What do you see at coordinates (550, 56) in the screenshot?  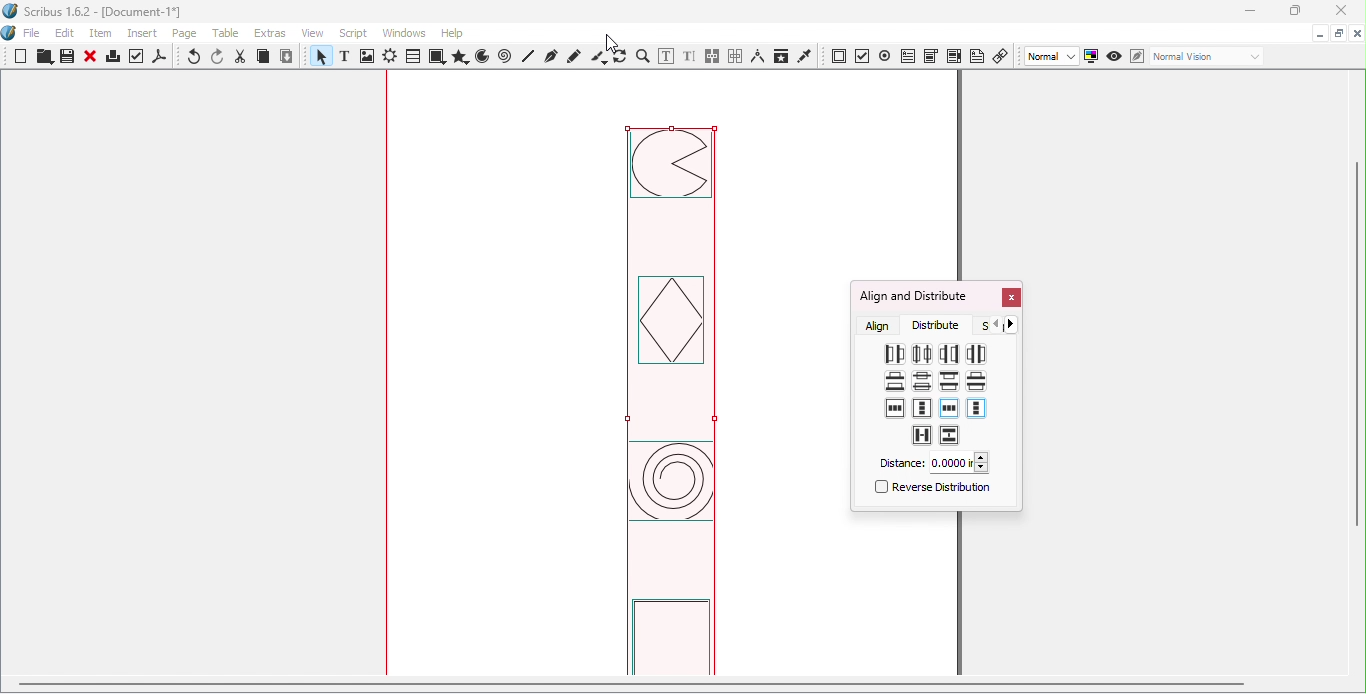 I see `Bezier curve tool` at bounding box center [550, 56].